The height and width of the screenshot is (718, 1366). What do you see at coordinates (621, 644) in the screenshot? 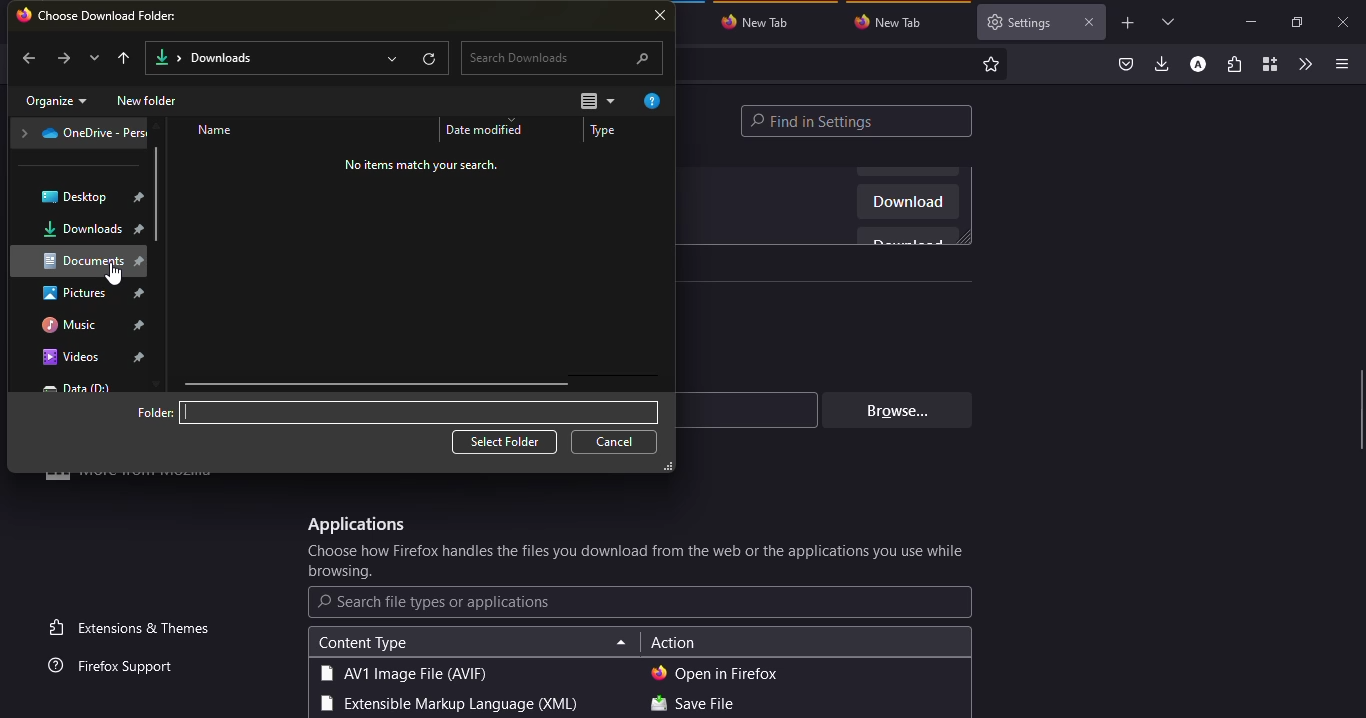
I see `sort` at bounding box center [621, 644].